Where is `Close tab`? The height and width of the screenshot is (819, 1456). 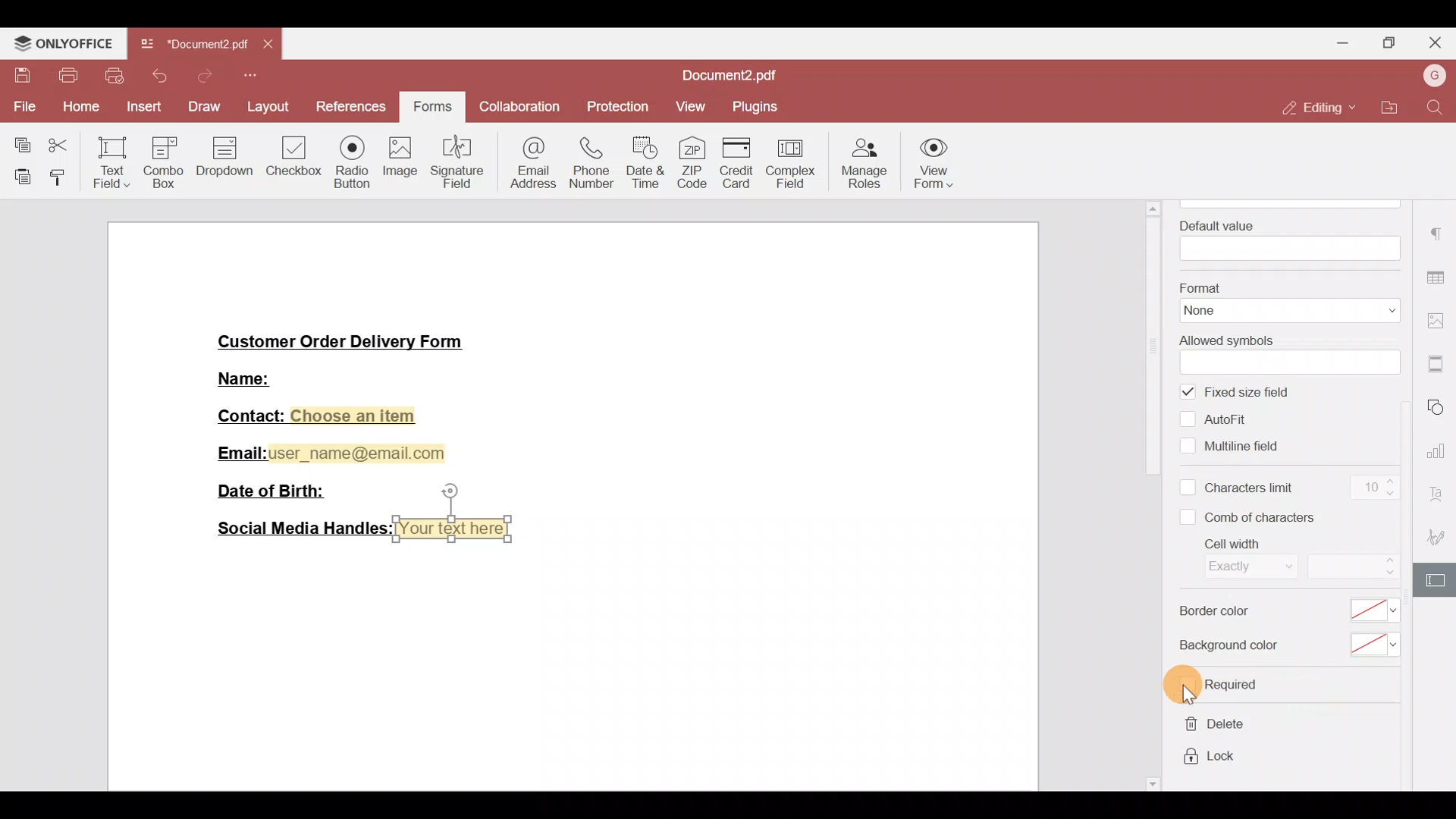
Close tab is located at coordinates (271, 47).